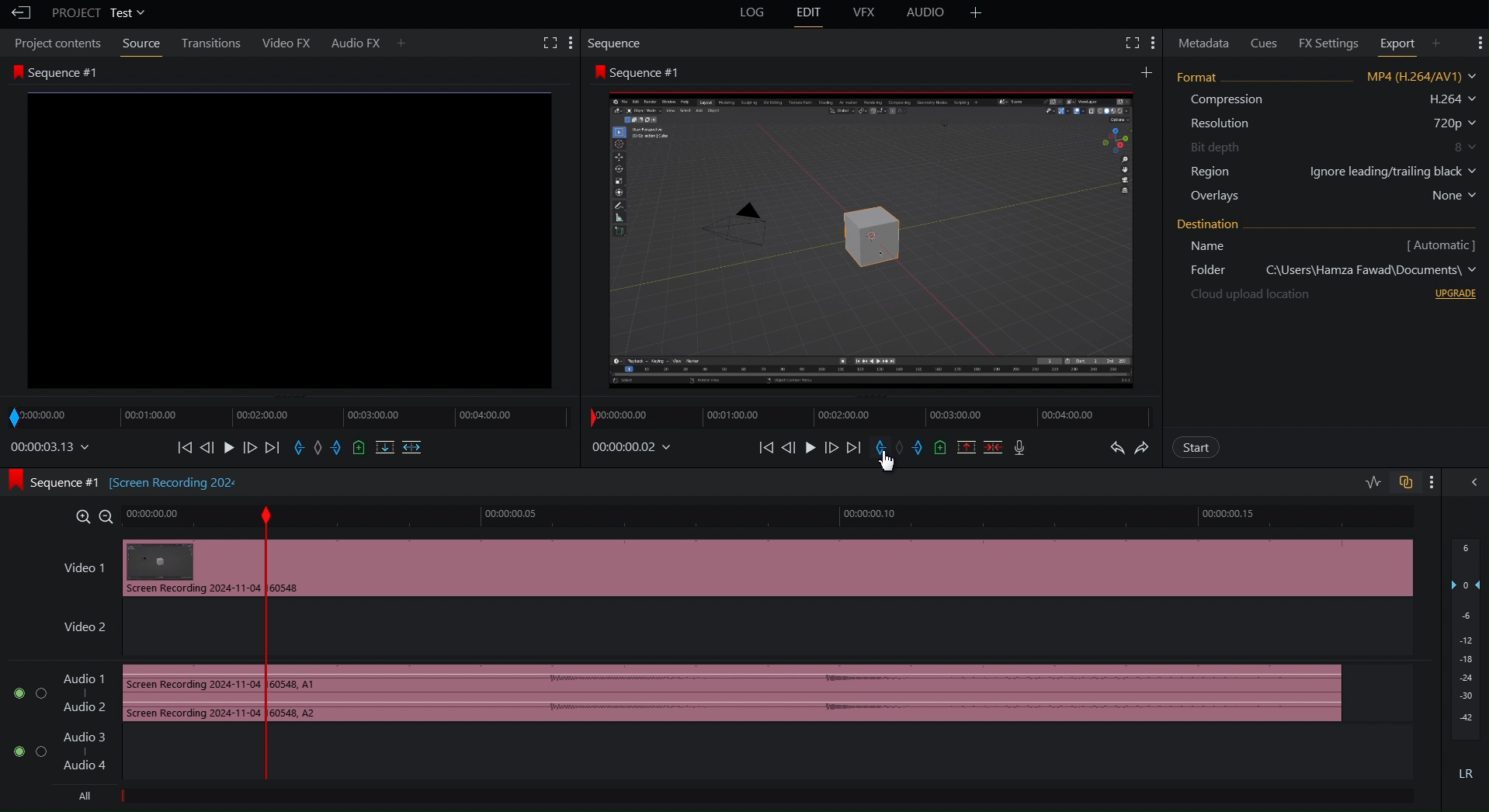 This screenshot has height=812, width=1489. Describe the element at coordinates (880, 447) in the screenshot. I see `Place Entry Marker` at that location.